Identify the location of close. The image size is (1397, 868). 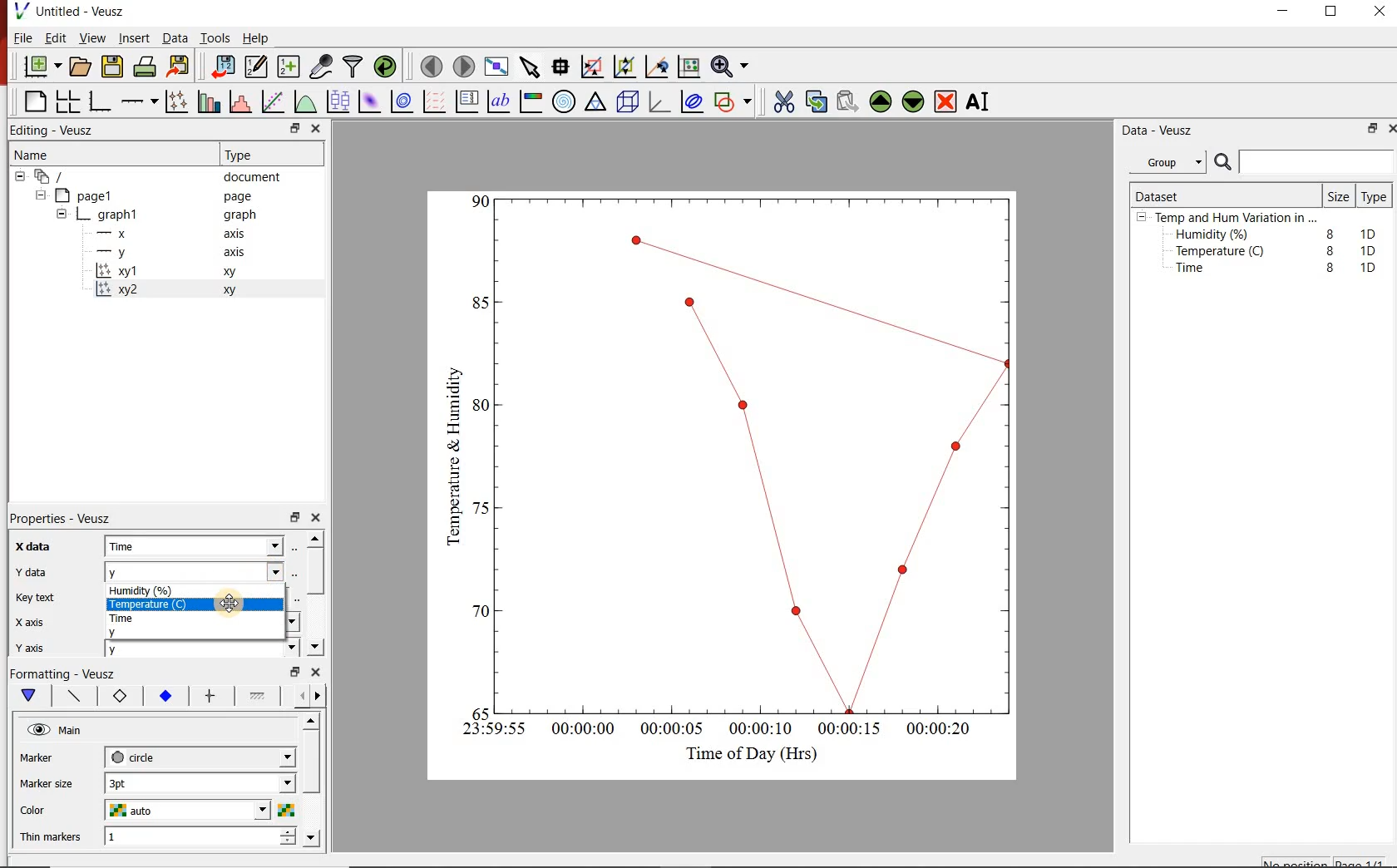
(318, 673).